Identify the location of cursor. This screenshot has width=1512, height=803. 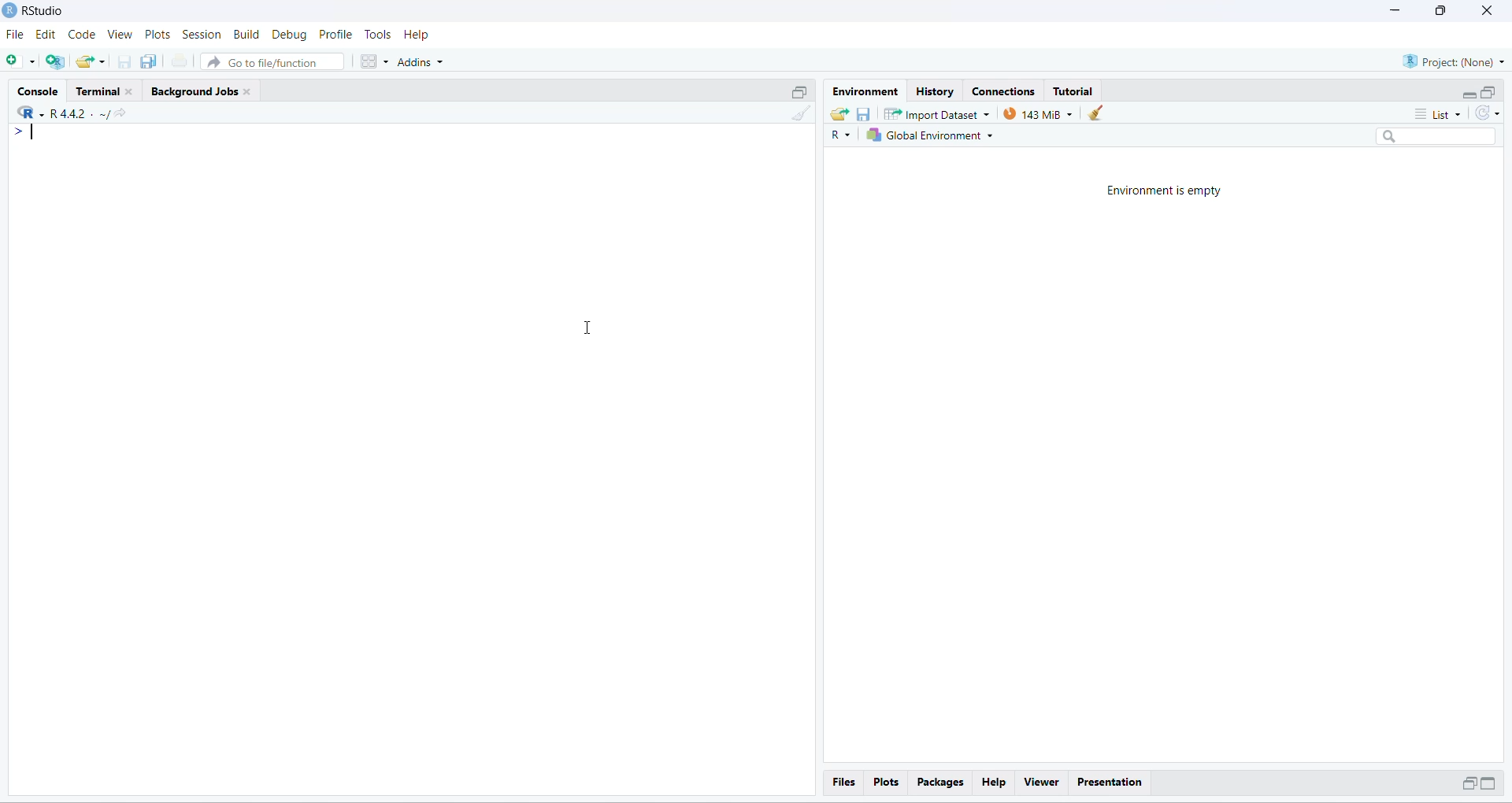
(585, 328).